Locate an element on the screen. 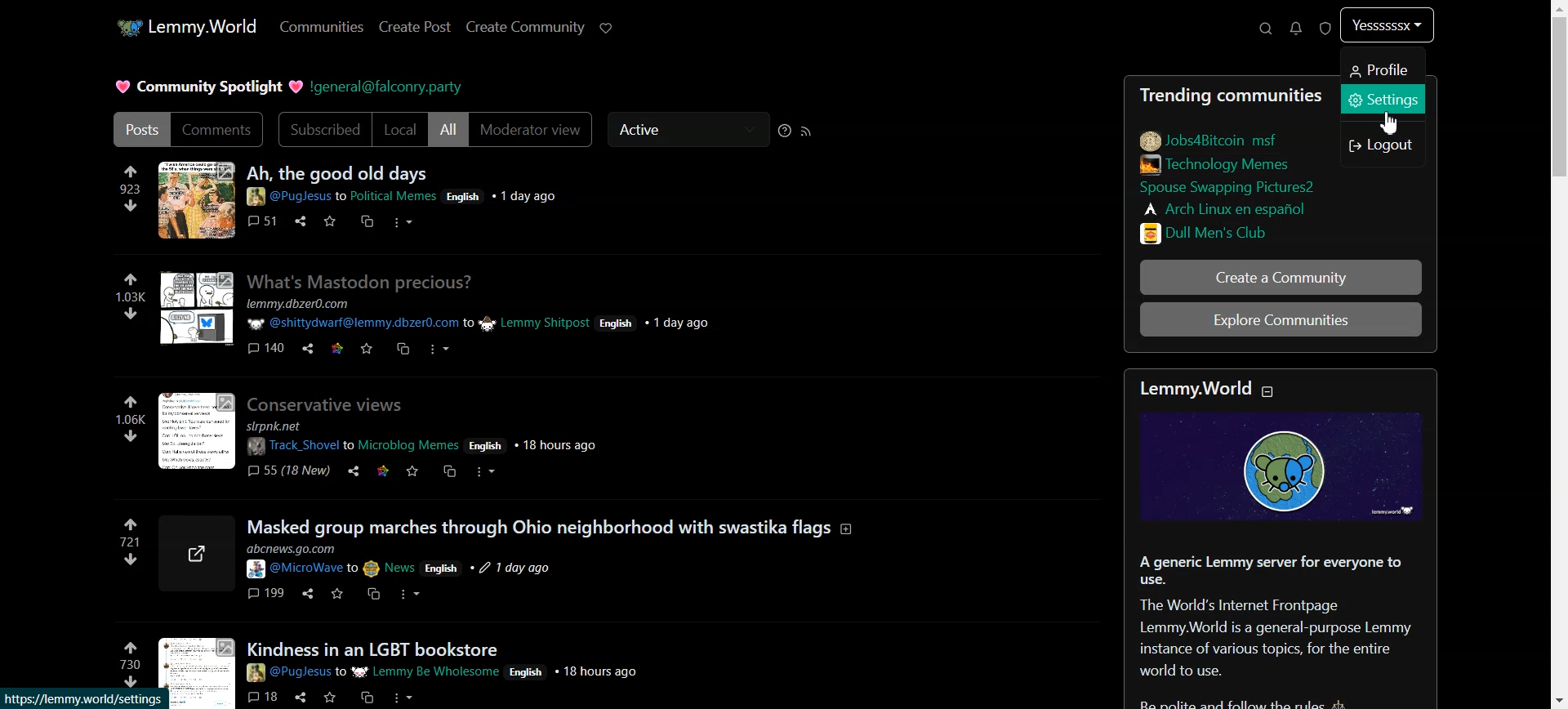 The width and height of the screenshot is (1568, 709). downvote is located at coordinates (131, 205).